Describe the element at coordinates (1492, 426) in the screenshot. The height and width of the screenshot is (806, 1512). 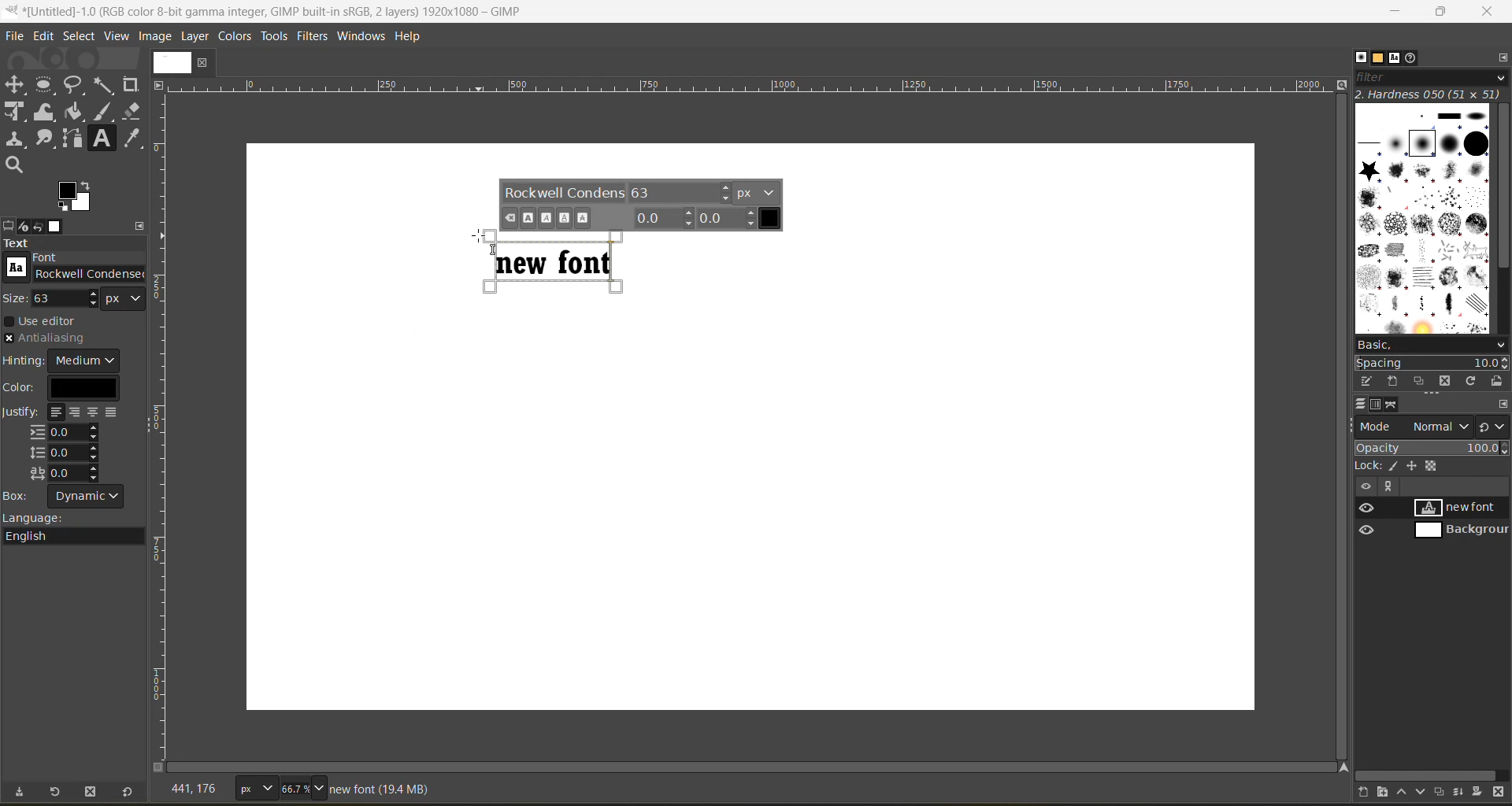
I see `switch` at that location.